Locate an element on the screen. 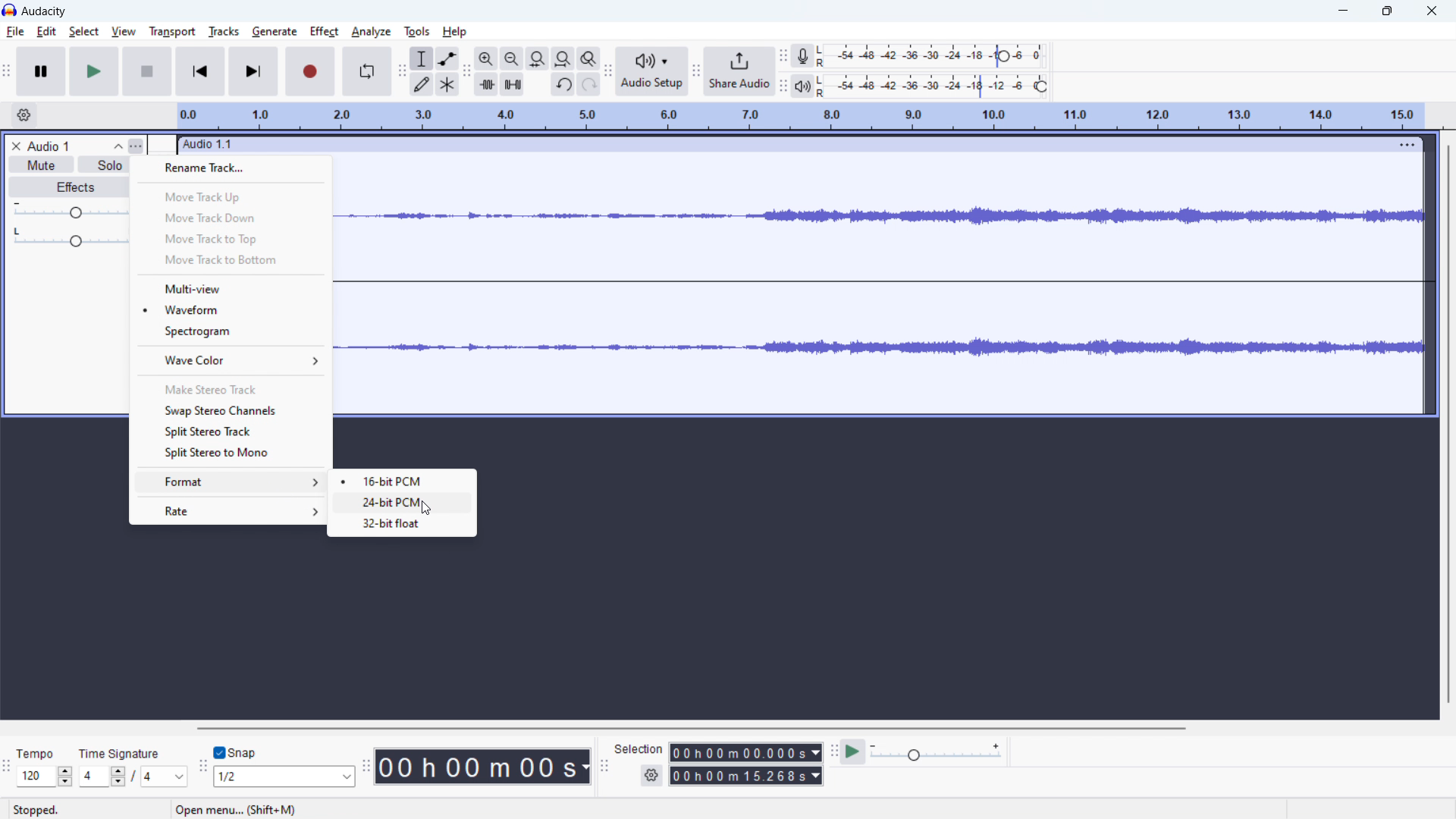  wave is located at coordinates (882, 344).